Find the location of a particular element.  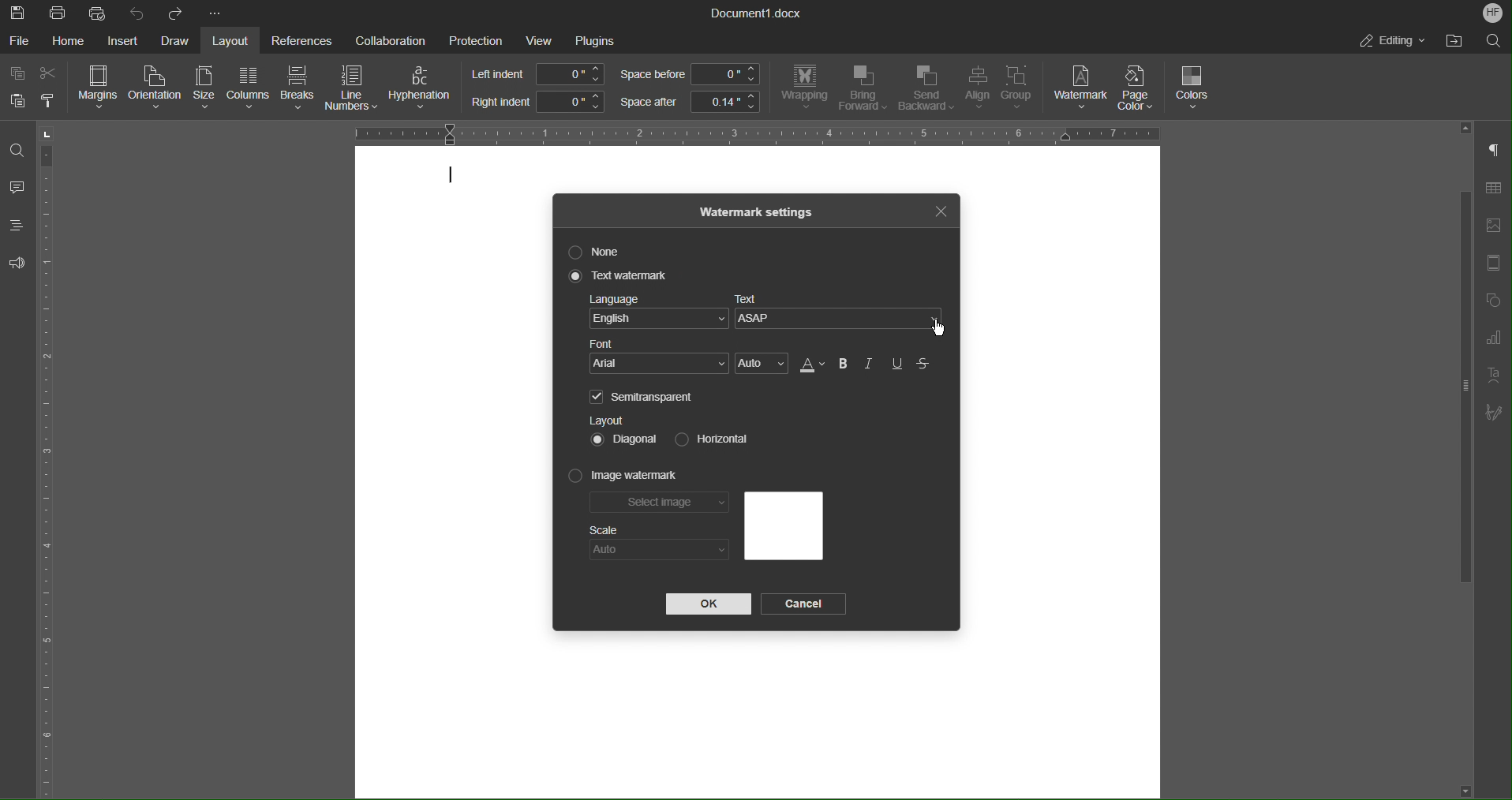

File is located at coordinates (21, 40).